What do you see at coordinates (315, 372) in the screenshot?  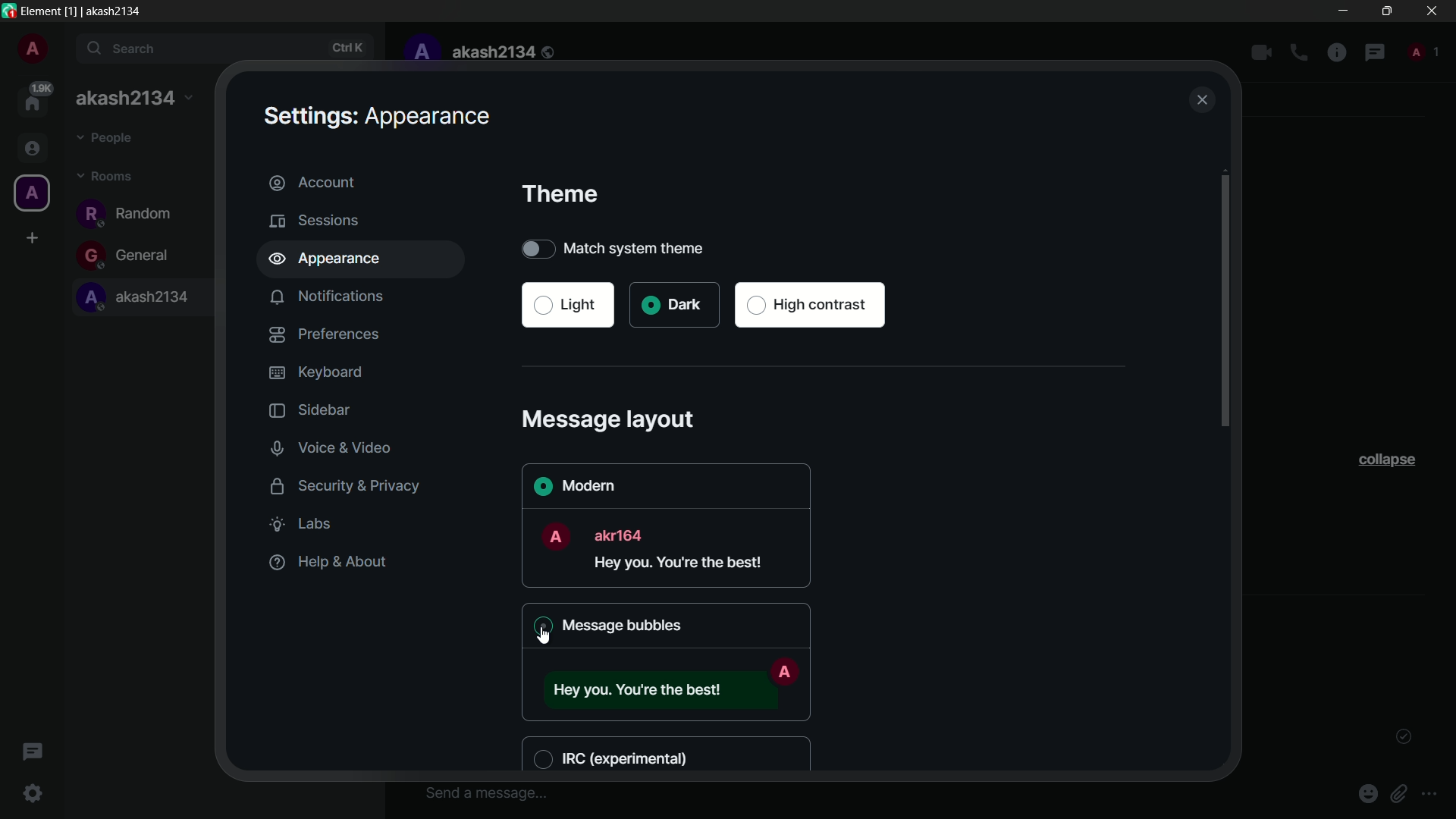 I see `keyboard` at bounding box center [315, 372].